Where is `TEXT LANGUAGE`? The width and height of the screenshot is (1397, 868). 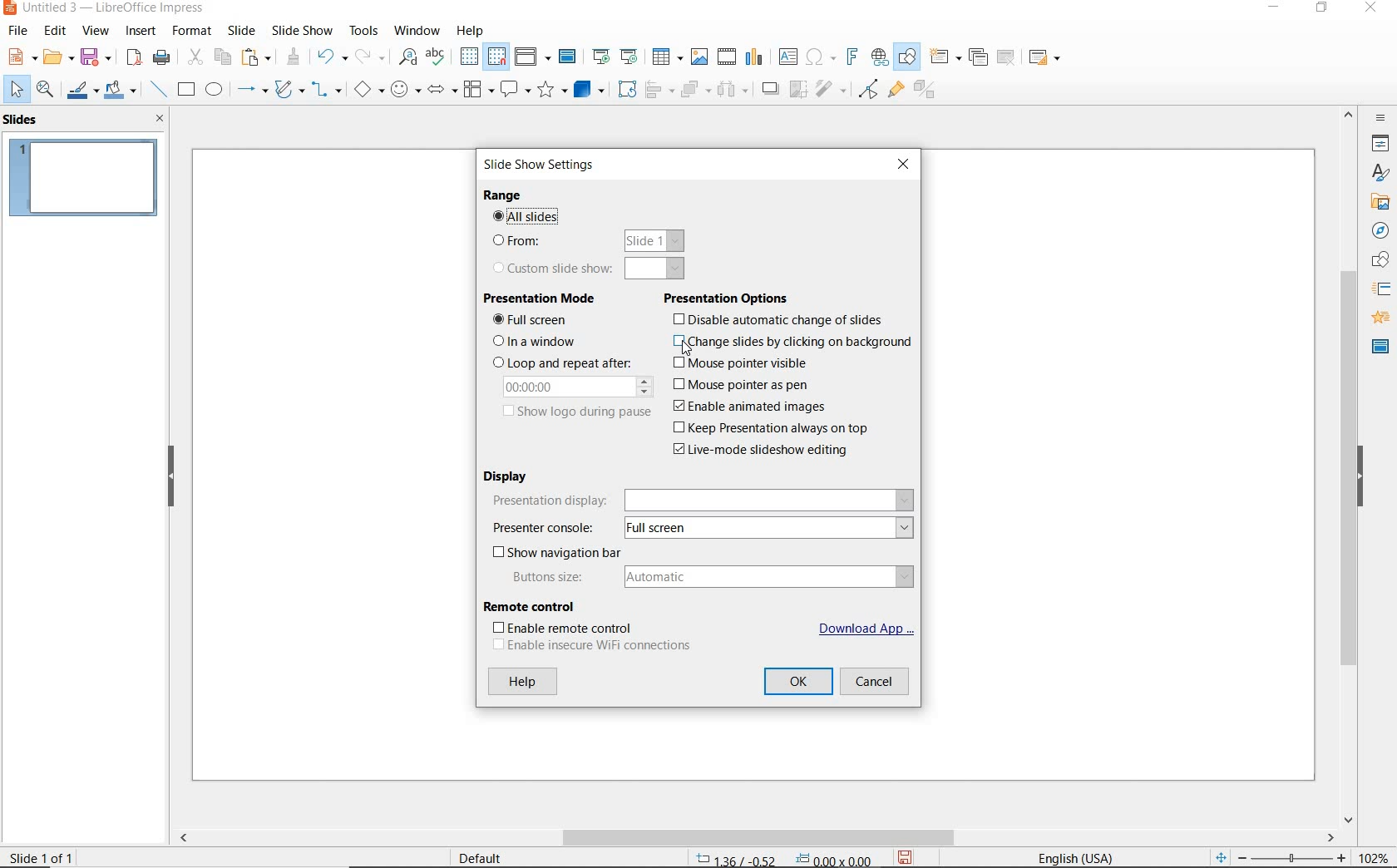
TEXT LANGUAGE is located at coordinates (1076, 856).